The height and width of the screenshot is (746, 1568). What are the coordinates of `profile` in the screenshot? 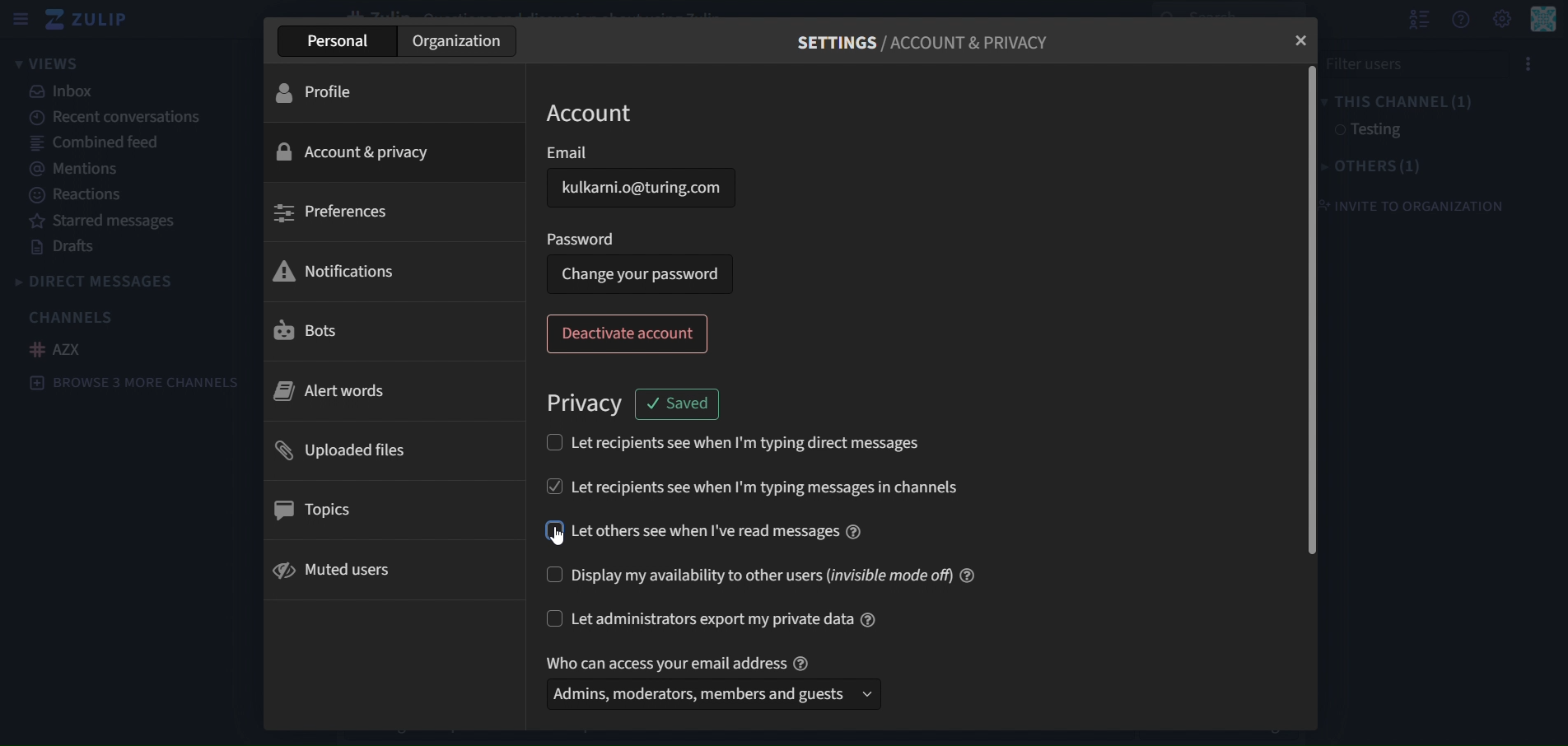 It's located at (327, 91).